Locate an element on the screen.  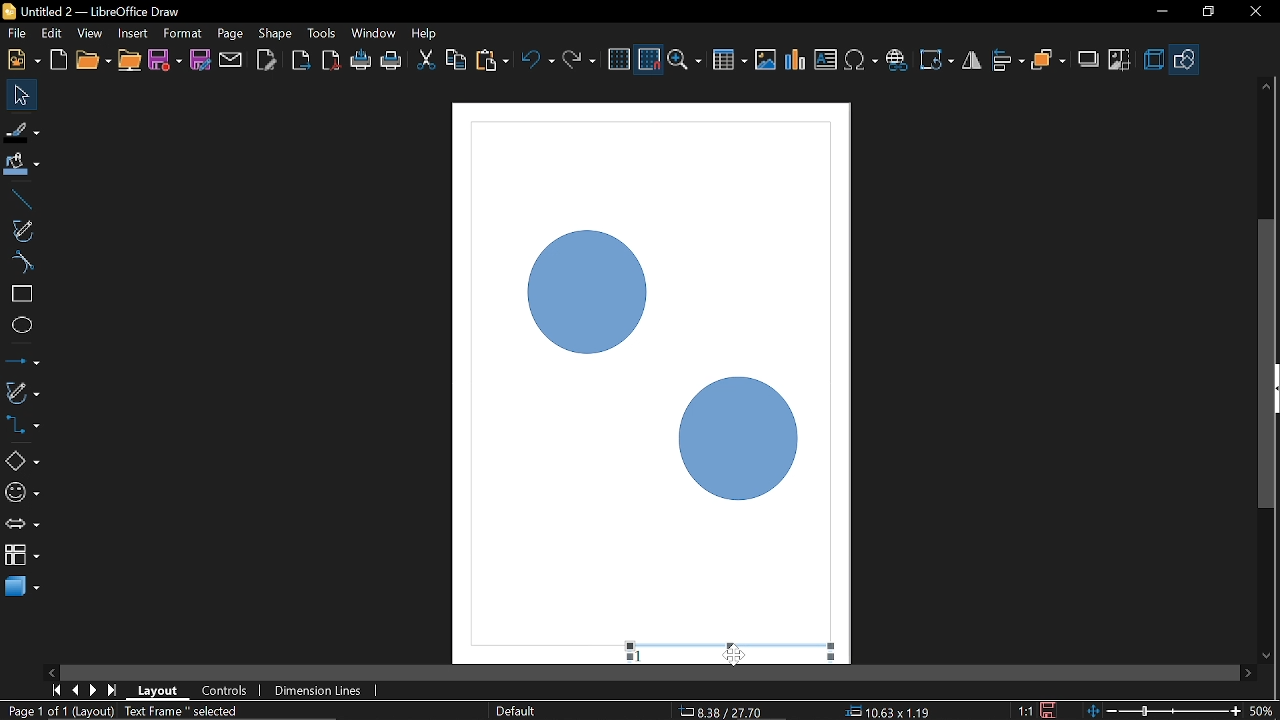
Line is located at coordinates (19, 200).